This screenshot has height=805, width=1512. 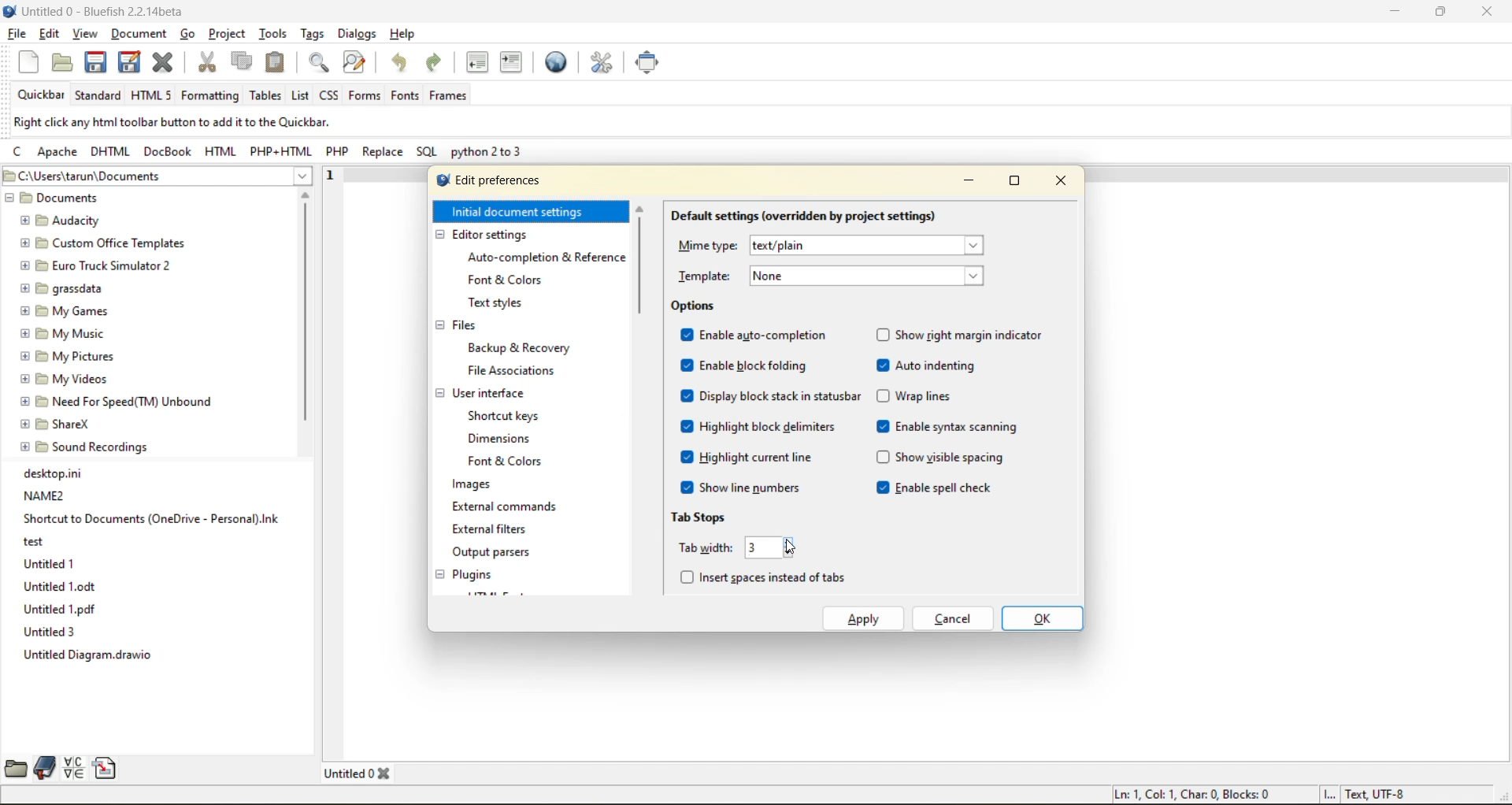 What do you see at coordinates (743, 365) in the screenshot?
I see `enable block folding` at bounding box center [743, 365].